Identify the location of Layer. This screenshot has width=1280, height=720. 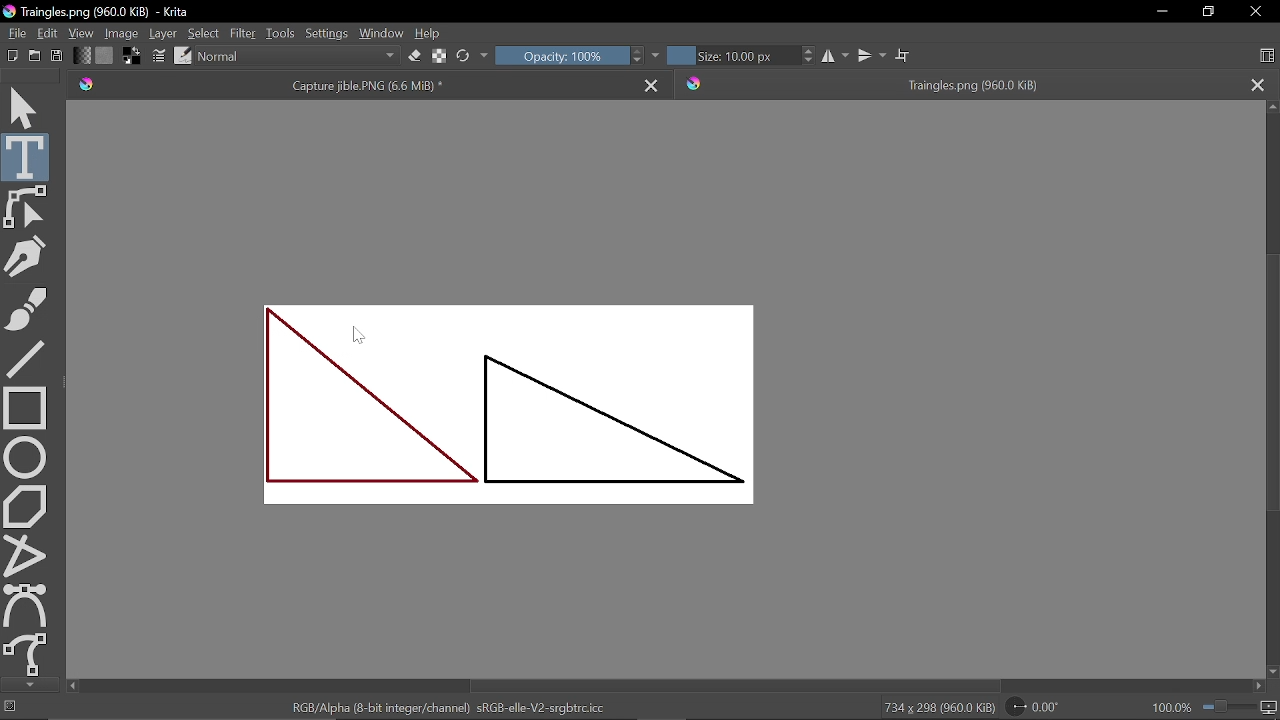
(163, 34).